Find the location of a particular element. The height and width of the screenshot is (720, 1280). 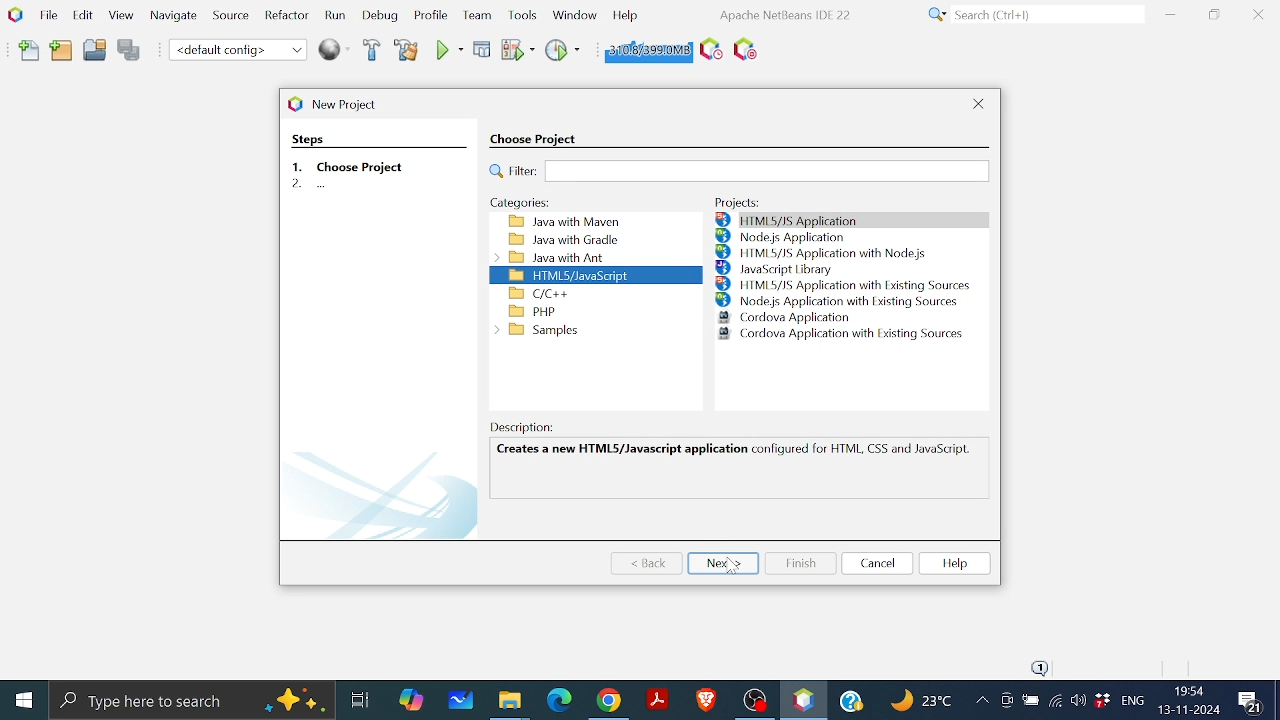

Close is located at coordinates (1258, 15).